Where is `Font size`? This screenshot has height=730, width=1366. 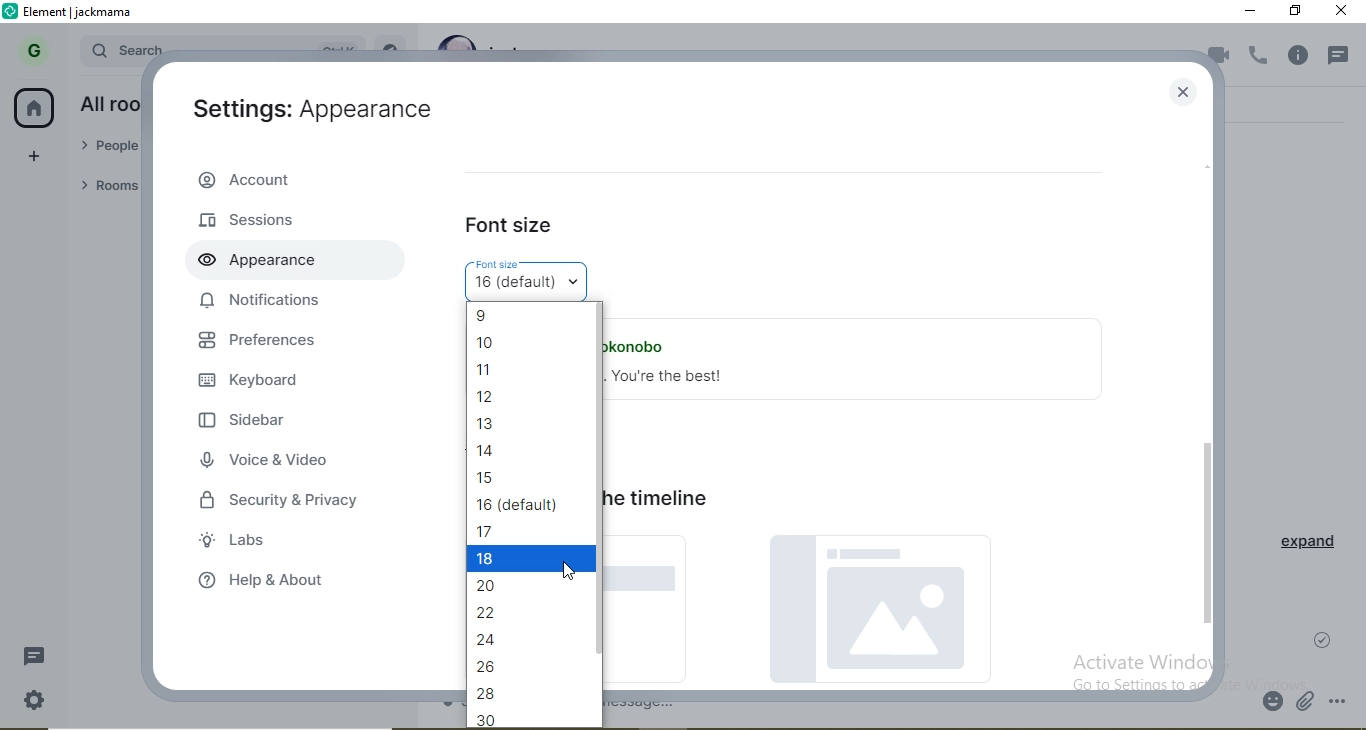 Font size is located at coordinates (503, 263).